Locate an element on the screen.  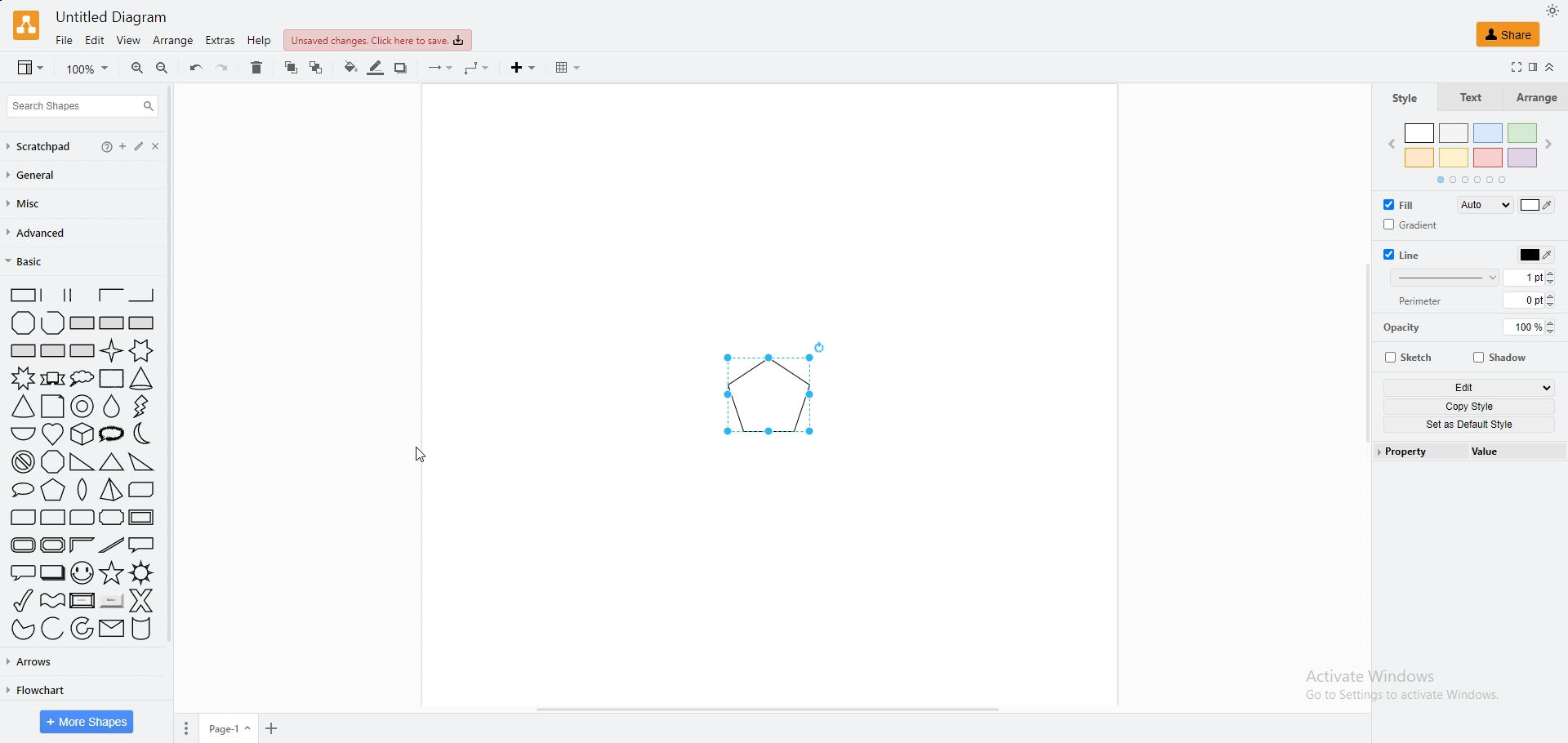
zoom out is located at coordinates (163, 69).